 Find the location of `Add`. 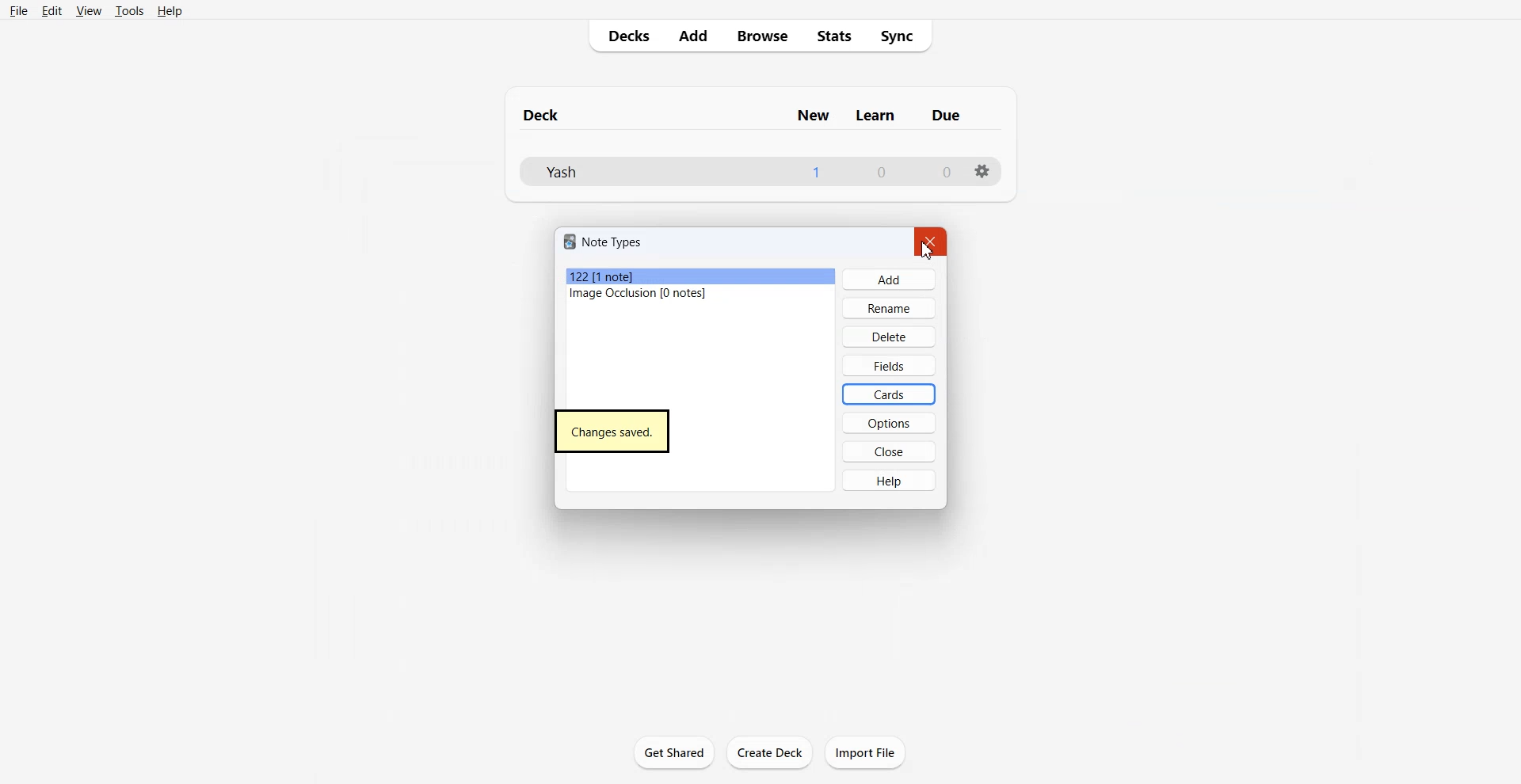

Add is located at coordinates (888, 279).